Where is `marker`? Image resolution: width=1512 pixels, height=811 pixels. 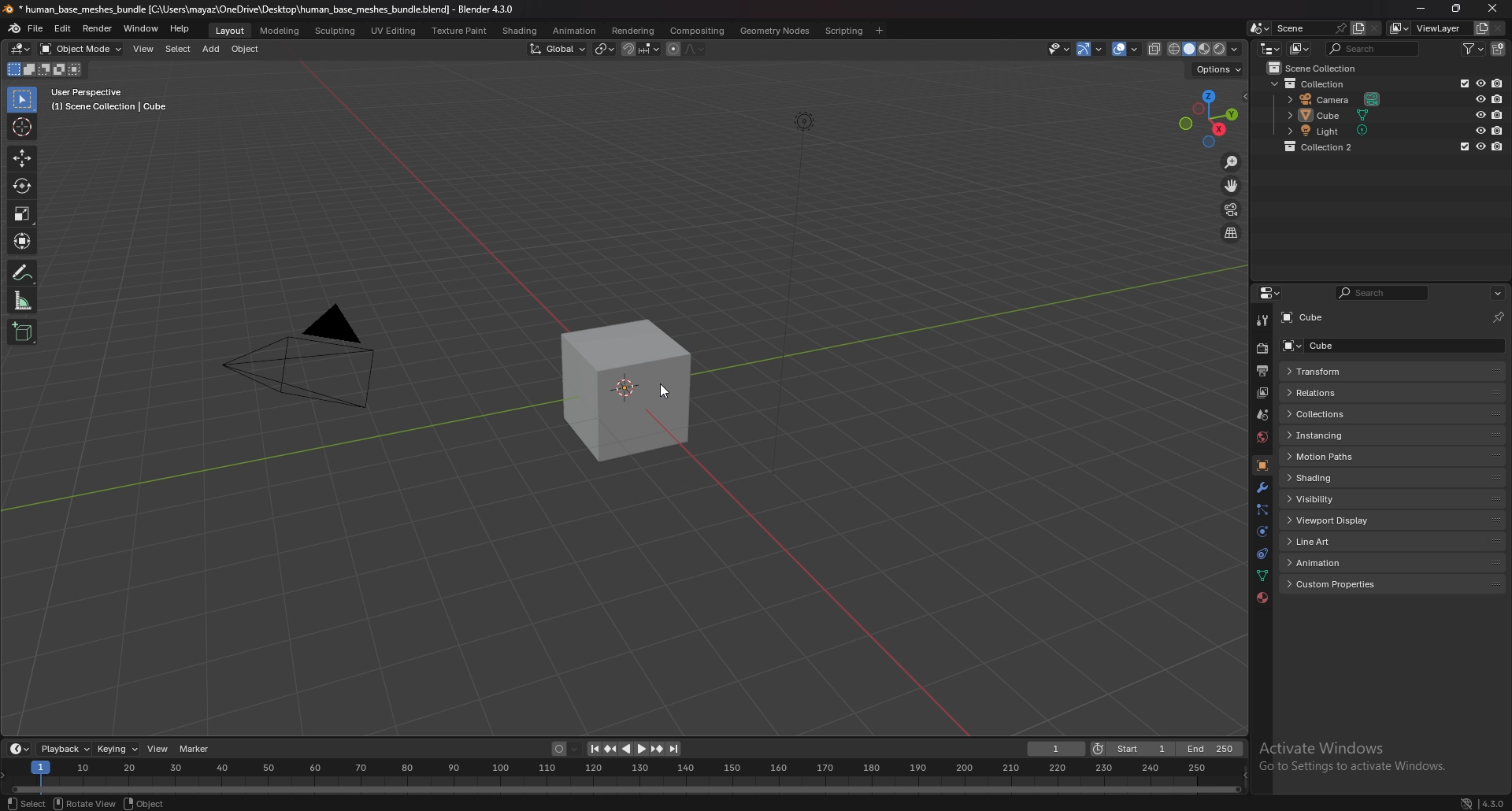 marker is located at coordinates (196, 749).